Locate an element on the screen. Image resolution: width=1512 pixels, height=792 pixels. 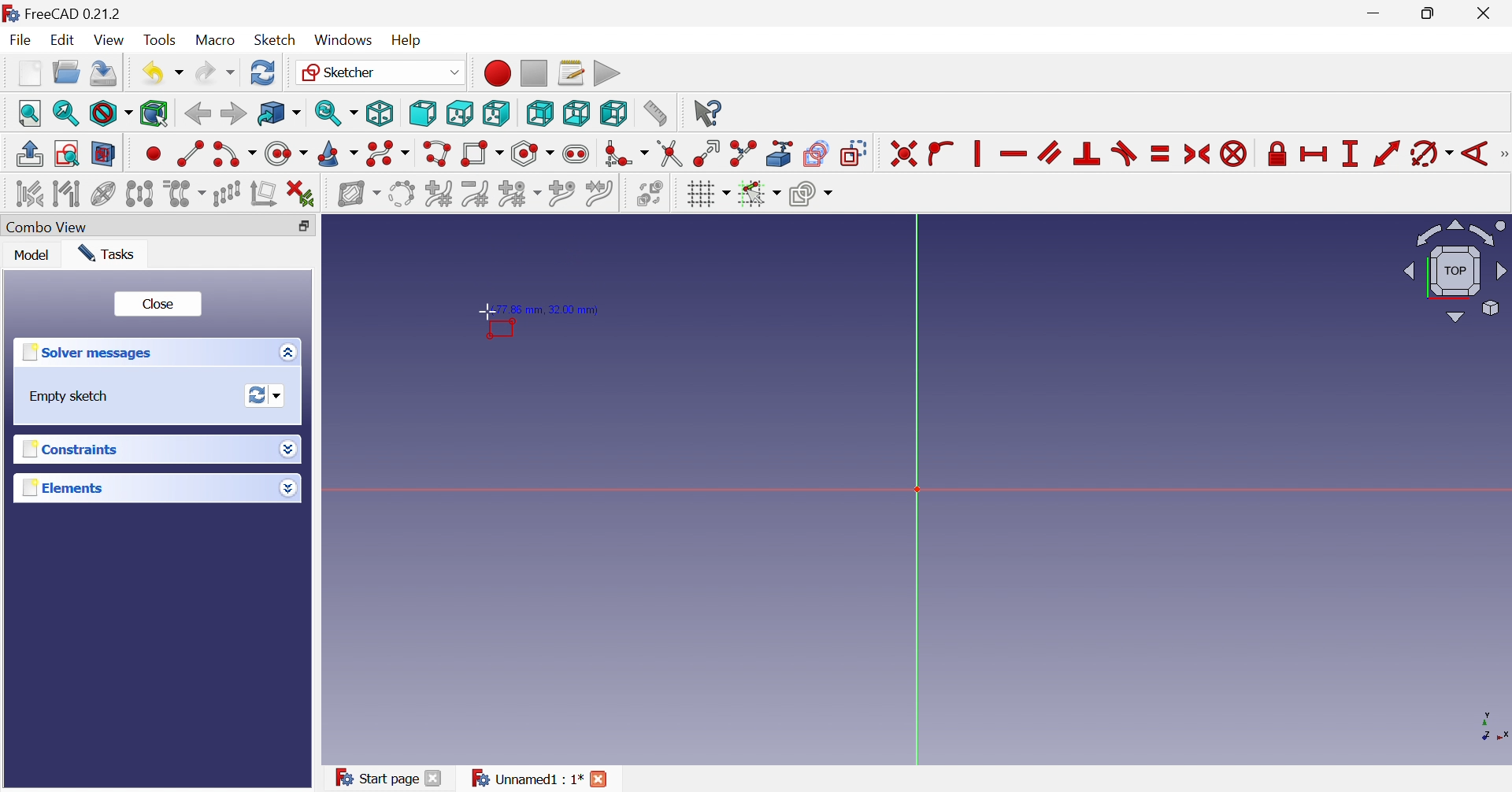
Bottom is located at coordinates (576, 113).